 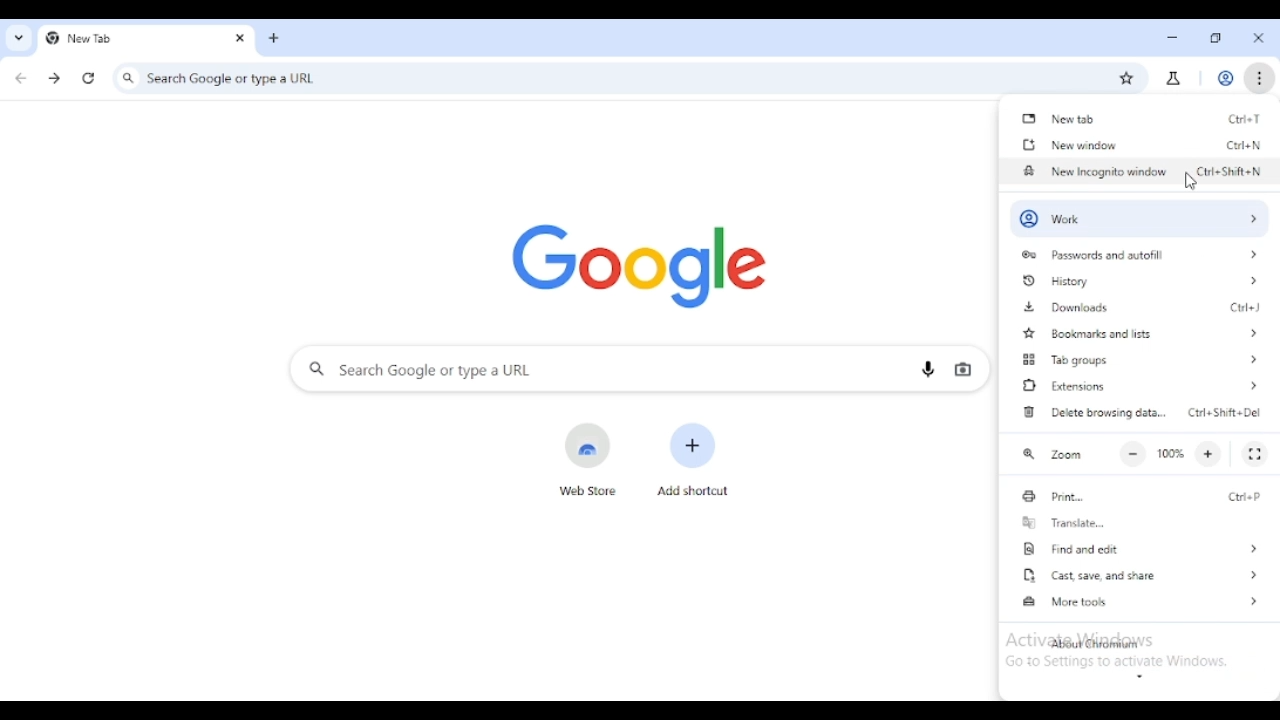 What do you see at coordinates (1225, 412) in the screenshot?
I see `shortcut for delete browsing data` at bounding box center [1225, 412].